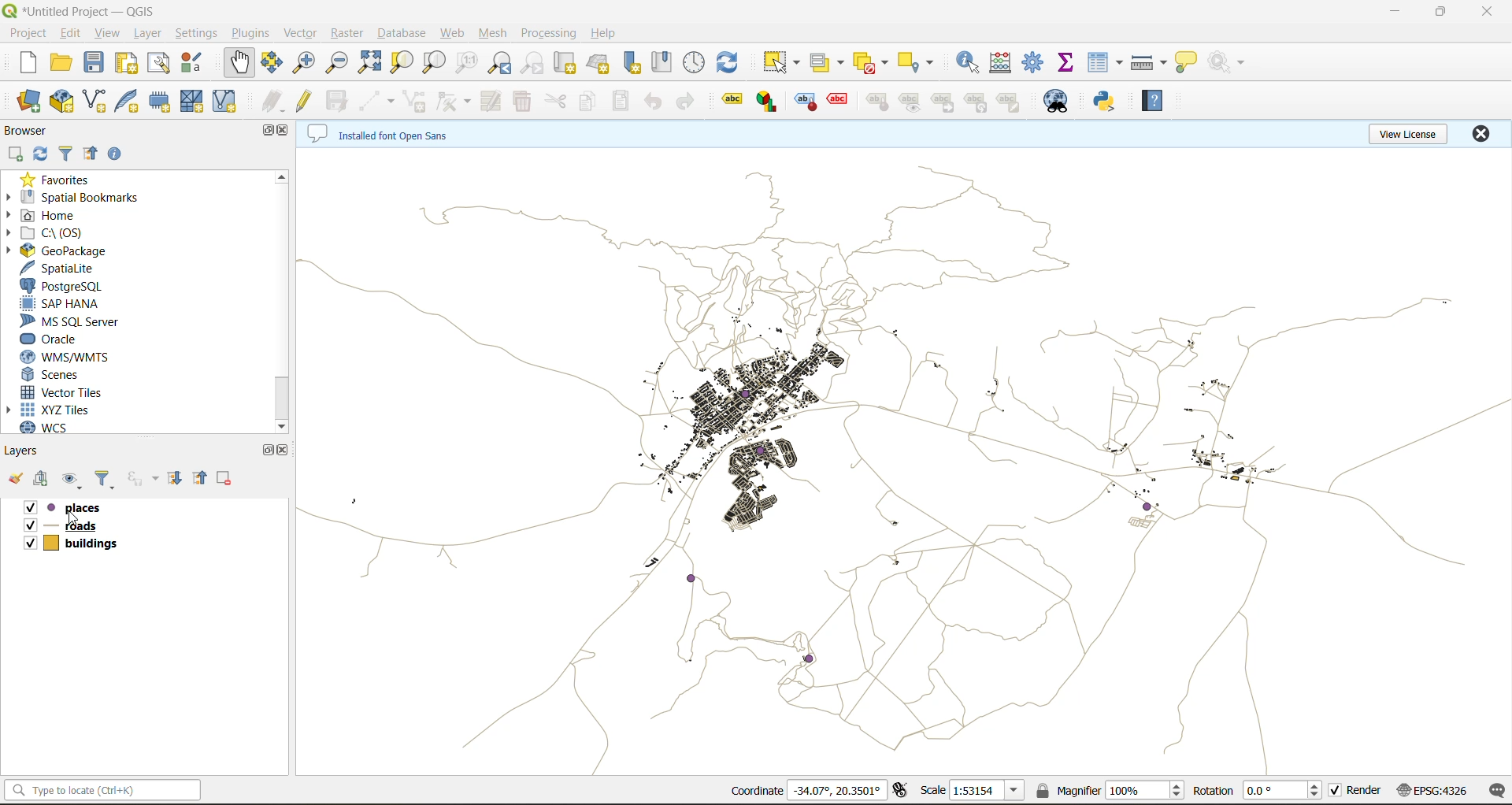  Describe the element at coordinates (87, 197) in the screenshot. I see `spatial bookmarks` at that location.